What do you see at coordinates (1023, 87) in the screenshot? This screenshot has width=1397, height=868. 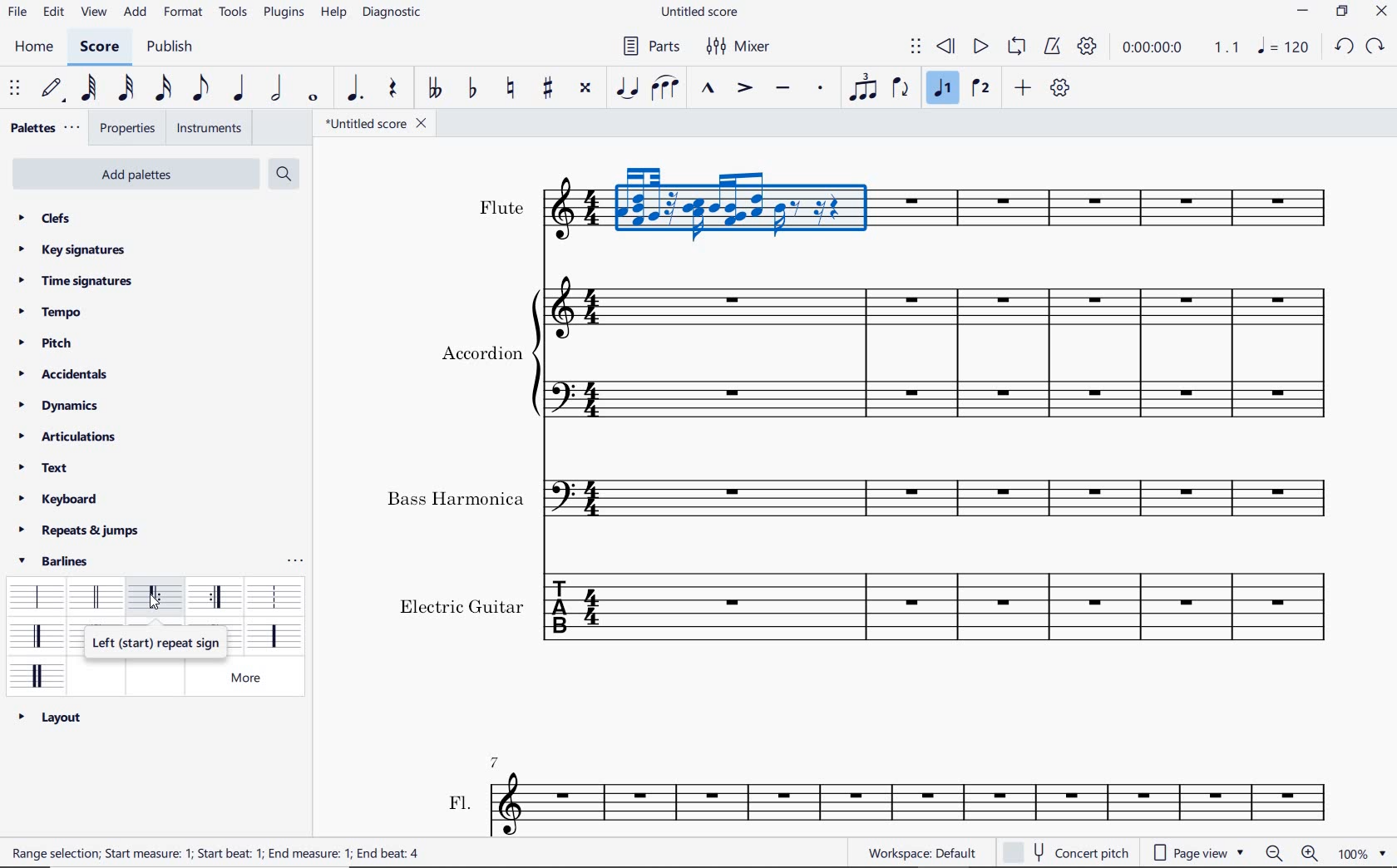 I see `add` at bounding box center [1023, 87].